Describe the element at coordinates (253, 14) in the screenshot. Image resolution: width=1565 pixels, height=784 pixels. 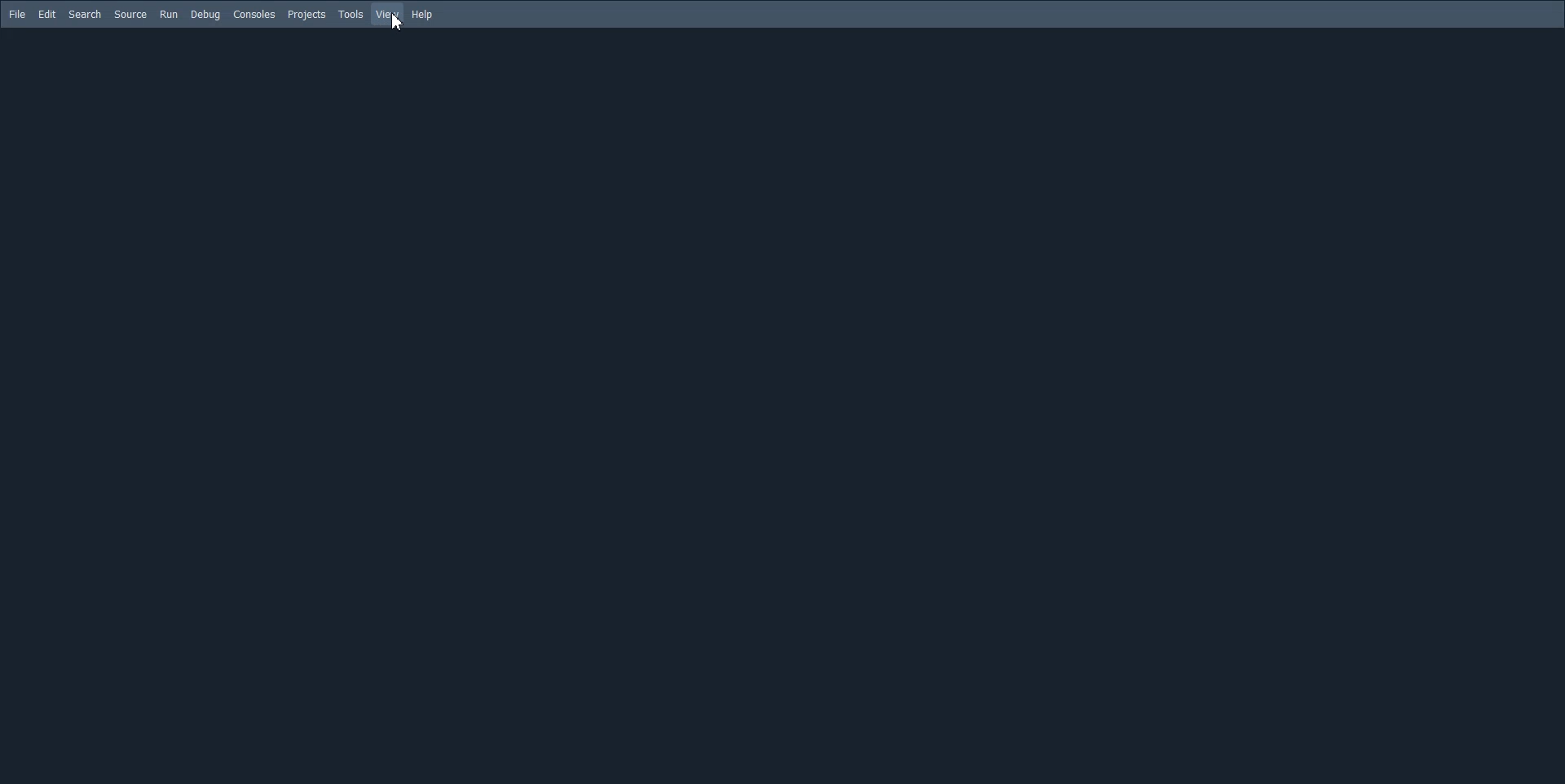
I see `Consoles` at that location.